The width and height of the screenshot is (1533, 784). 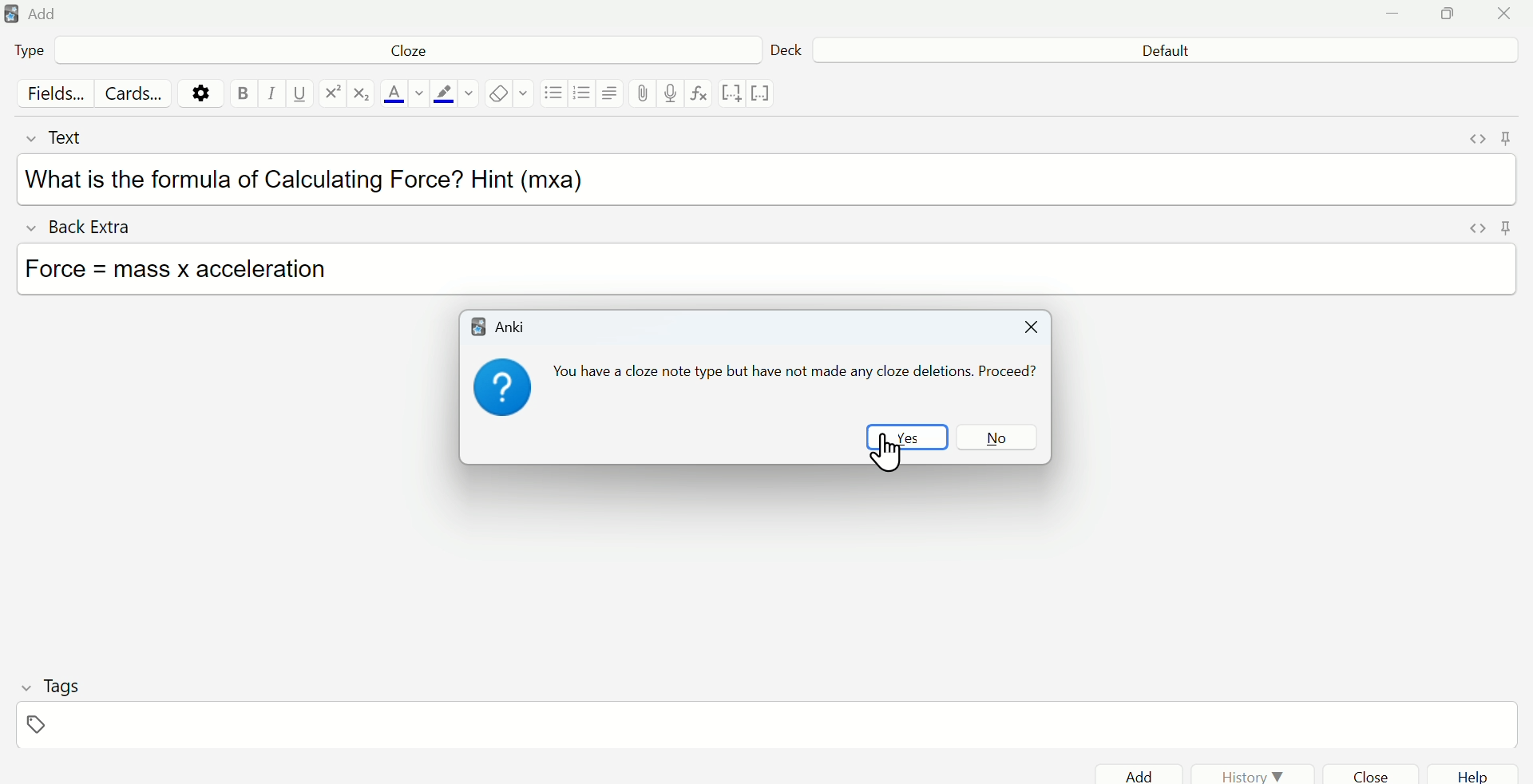 What do you see at coordinates (314, 180) in the screenshot?
I see `What is the formula of Calculating Force? Hint (mxa)` at bounding box center [314, 180].